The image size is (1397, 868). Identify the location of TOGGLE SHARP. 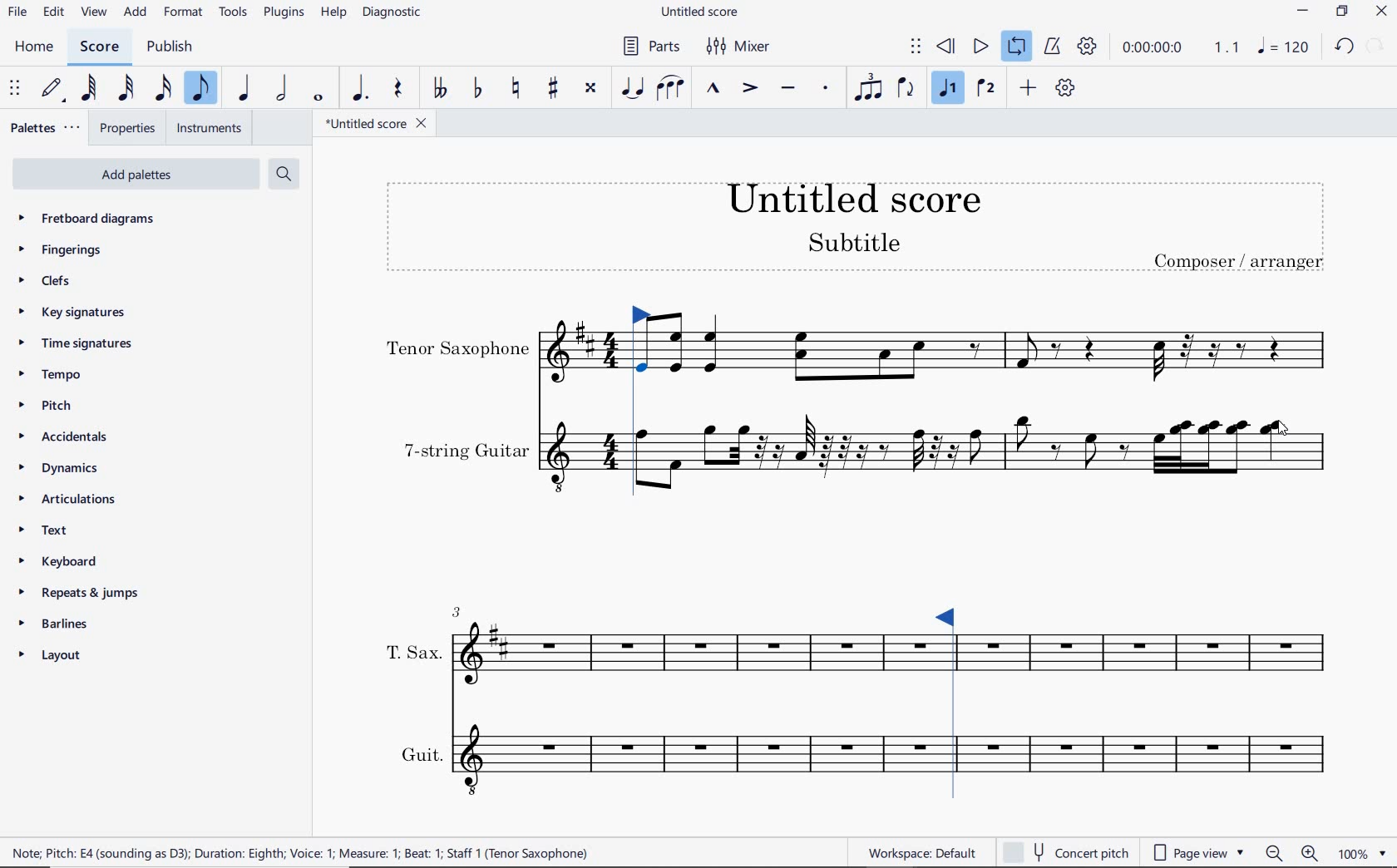
(554, 87).